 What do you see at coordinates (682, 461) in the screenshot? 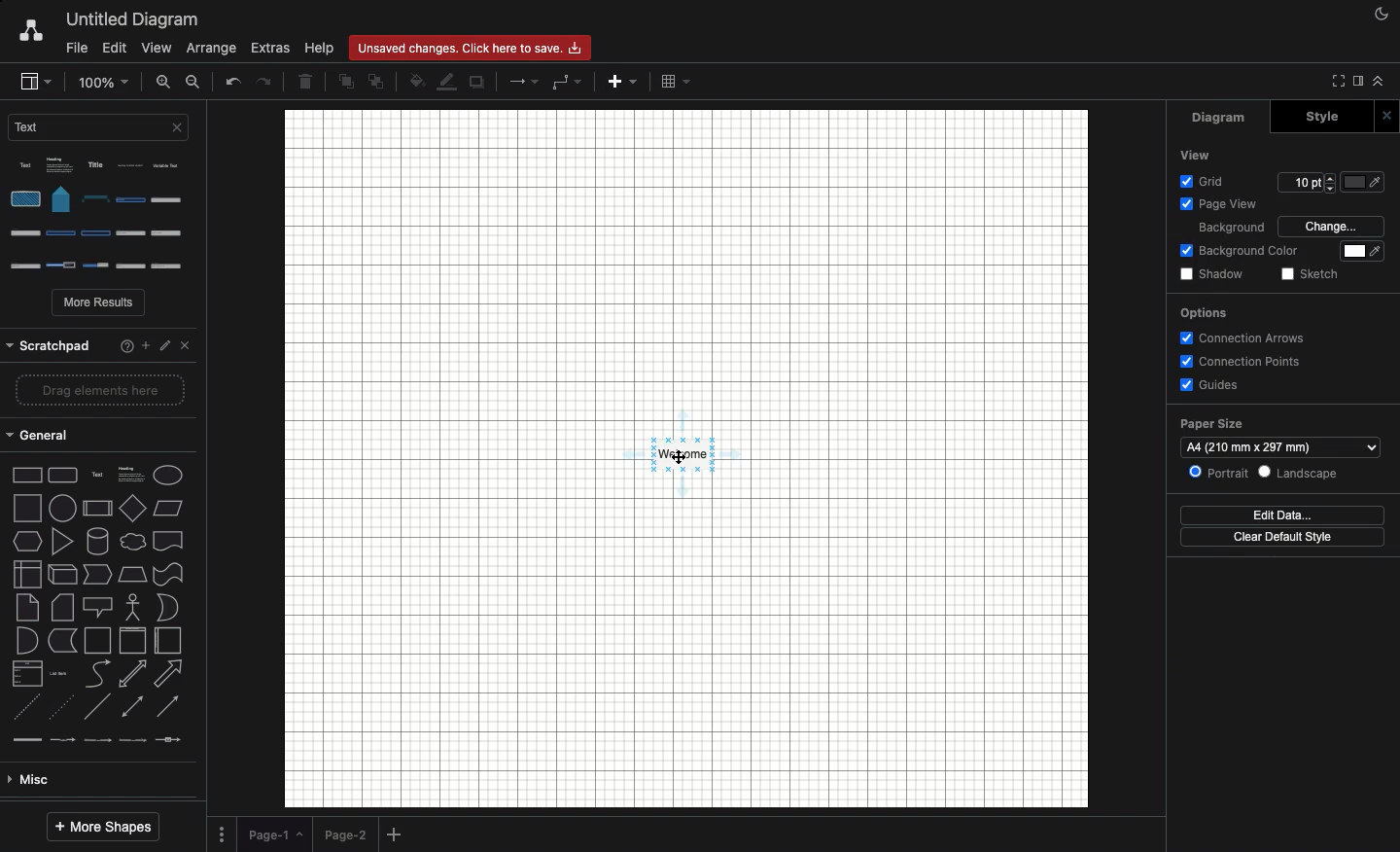
I see `Canvas` at bounding box center [682, 461].